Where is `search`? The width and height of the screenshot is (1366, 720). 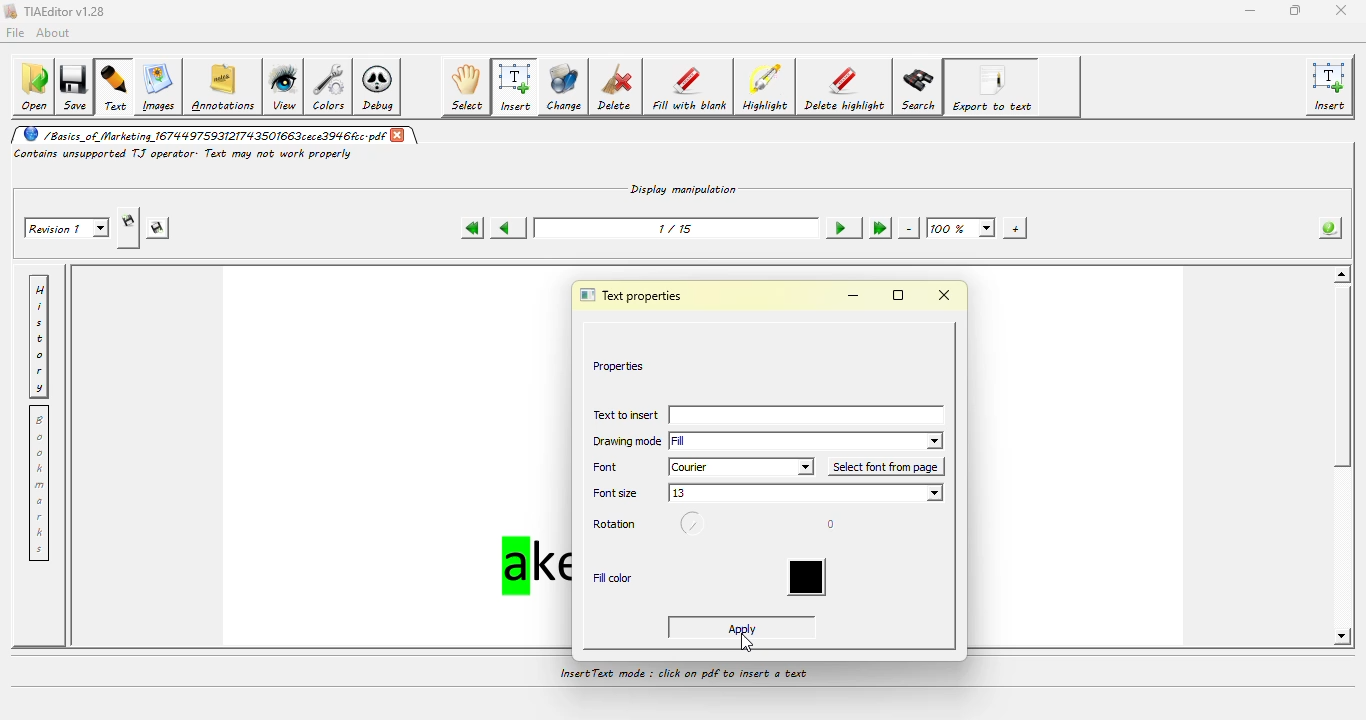 search is located at coordinates (919, 87).